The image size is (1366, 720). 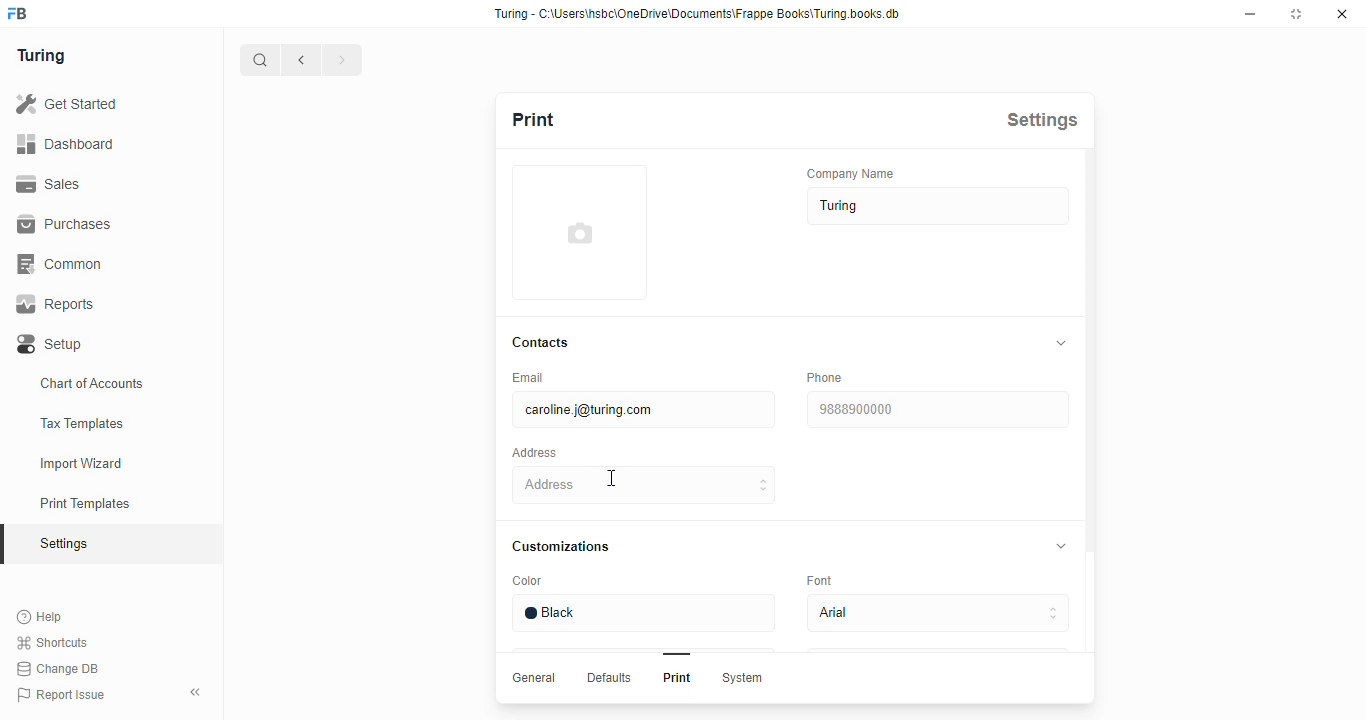 I want to click on minimize, so click(x=1251, y=14).